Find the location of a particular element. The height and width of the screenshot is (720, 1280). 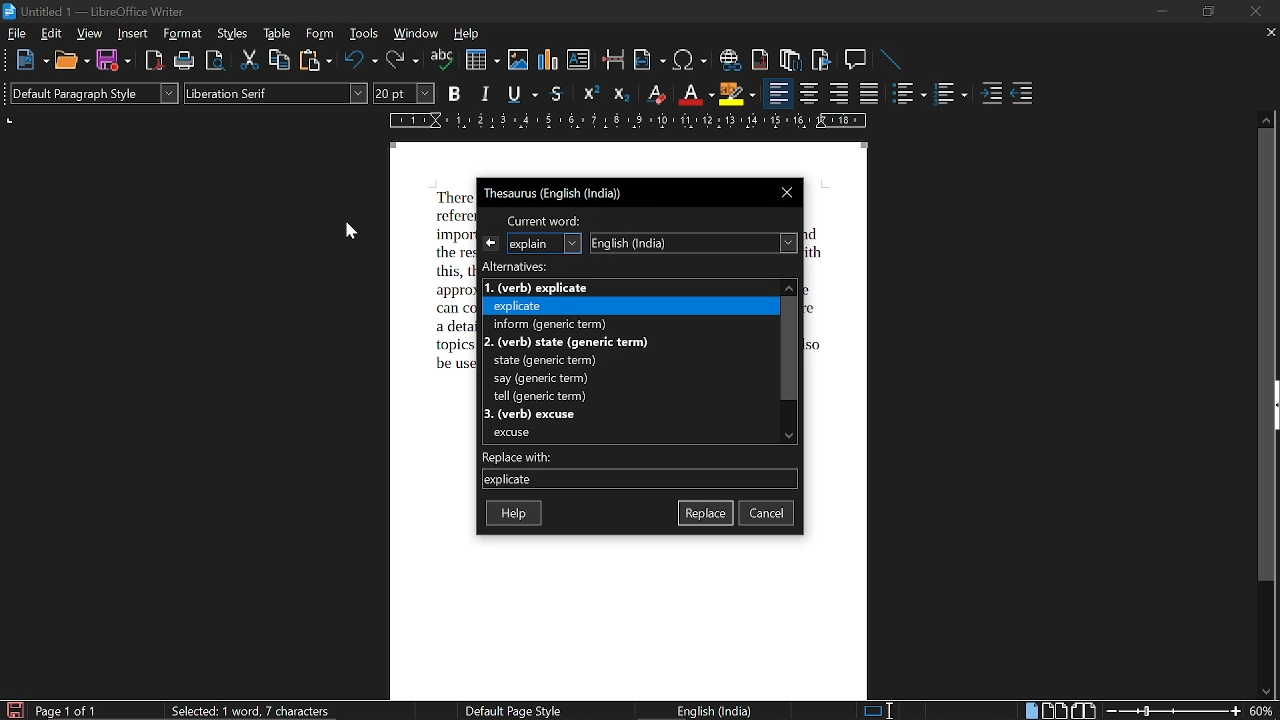

move up is located at coordinates (1268, 119).